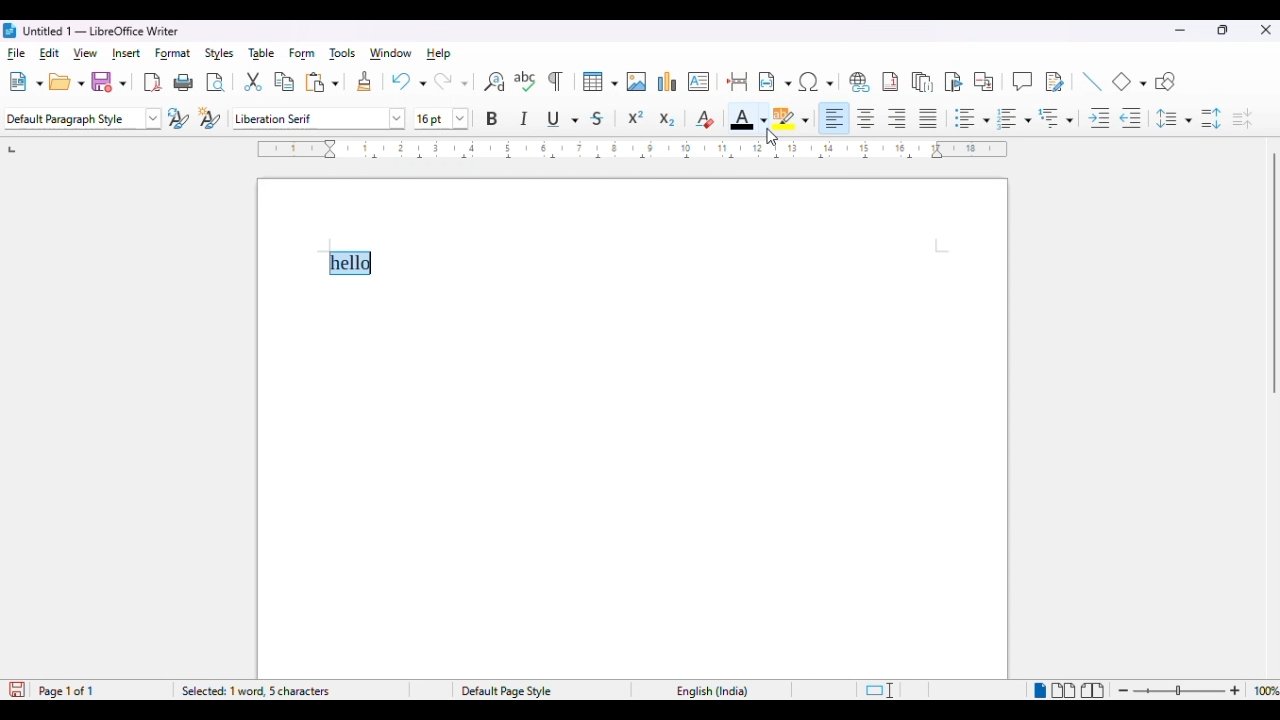  What do you see at coordinates (985, 82) in the screenshot?
I see `insert cross-reference` at bounding box center [985, 82].